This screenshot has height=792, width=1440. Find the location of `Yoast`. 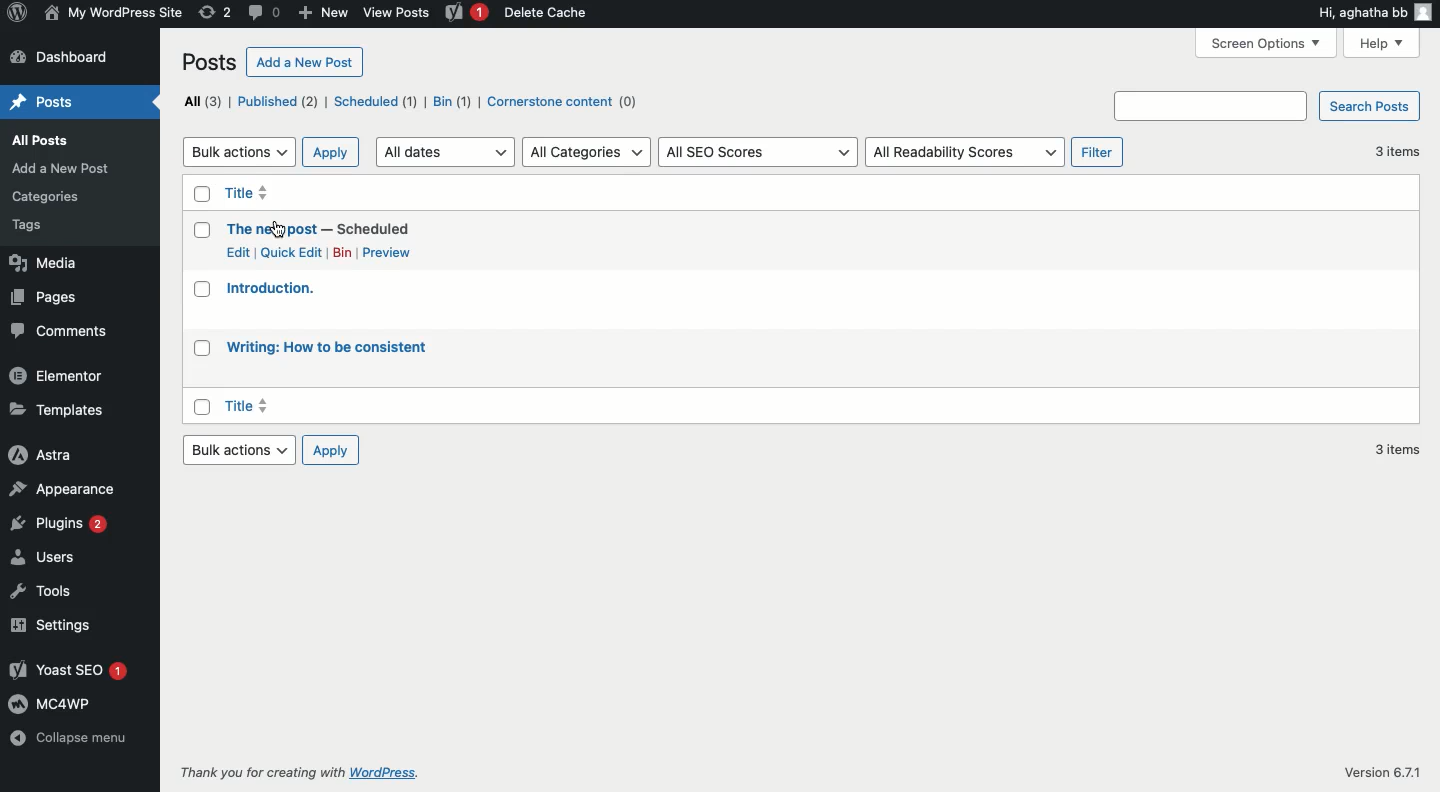

Yoast is located at coordinates (466, 13).